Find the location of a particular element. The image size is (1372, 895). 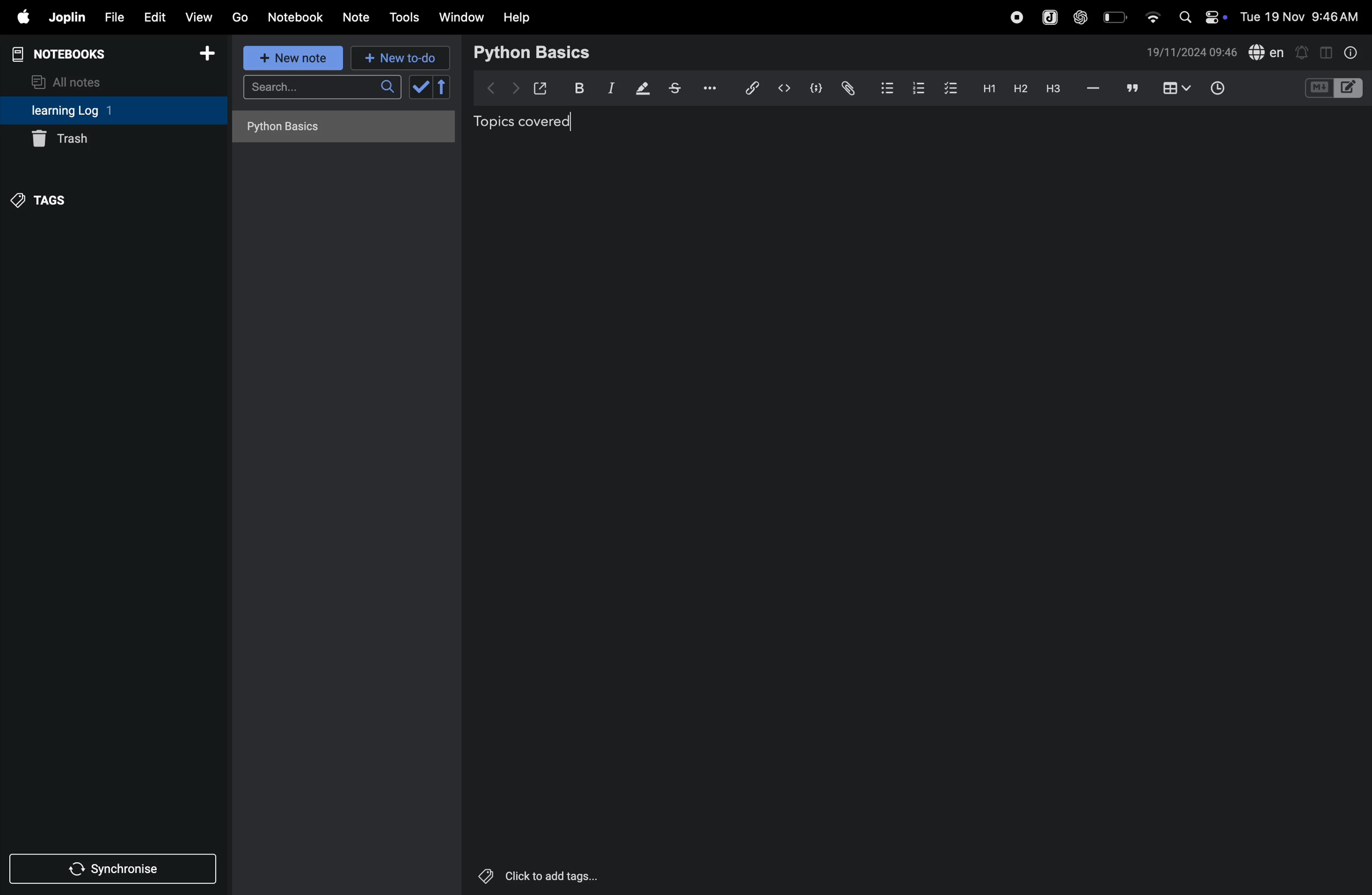

add time is located at coordinates (1231, 89).